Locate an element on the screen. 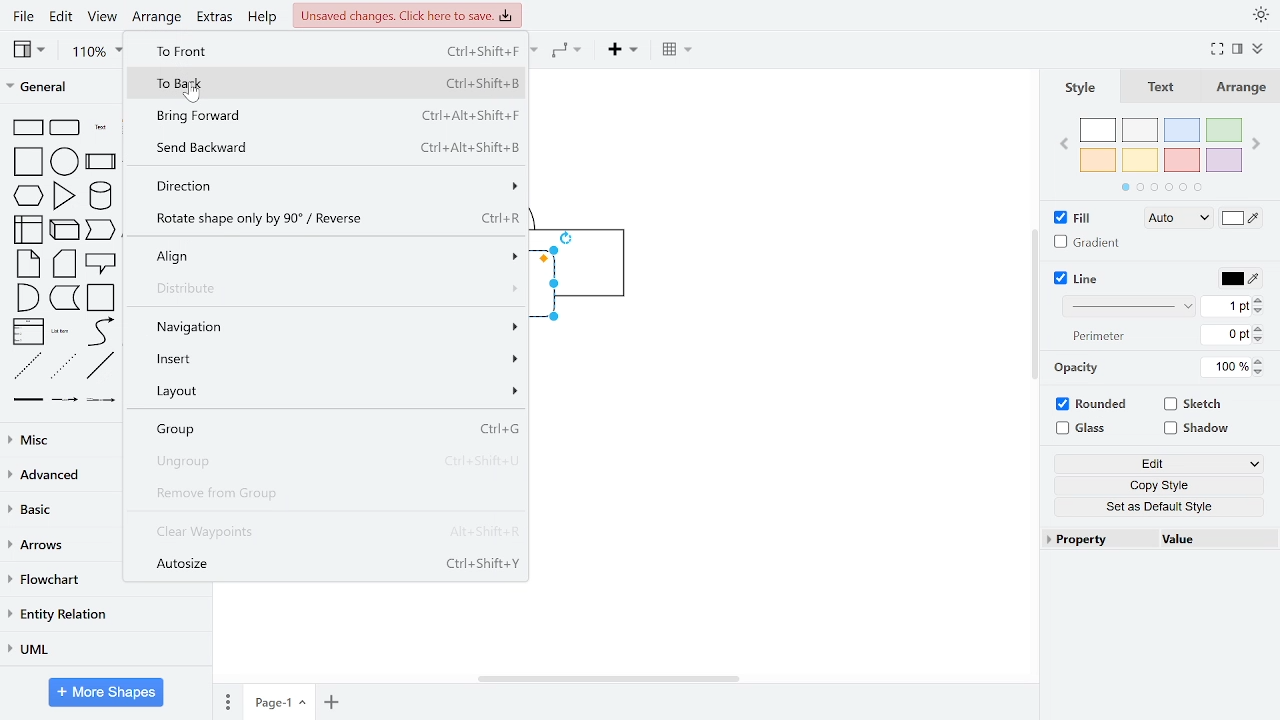  cube is located at coordinates (66, 231).